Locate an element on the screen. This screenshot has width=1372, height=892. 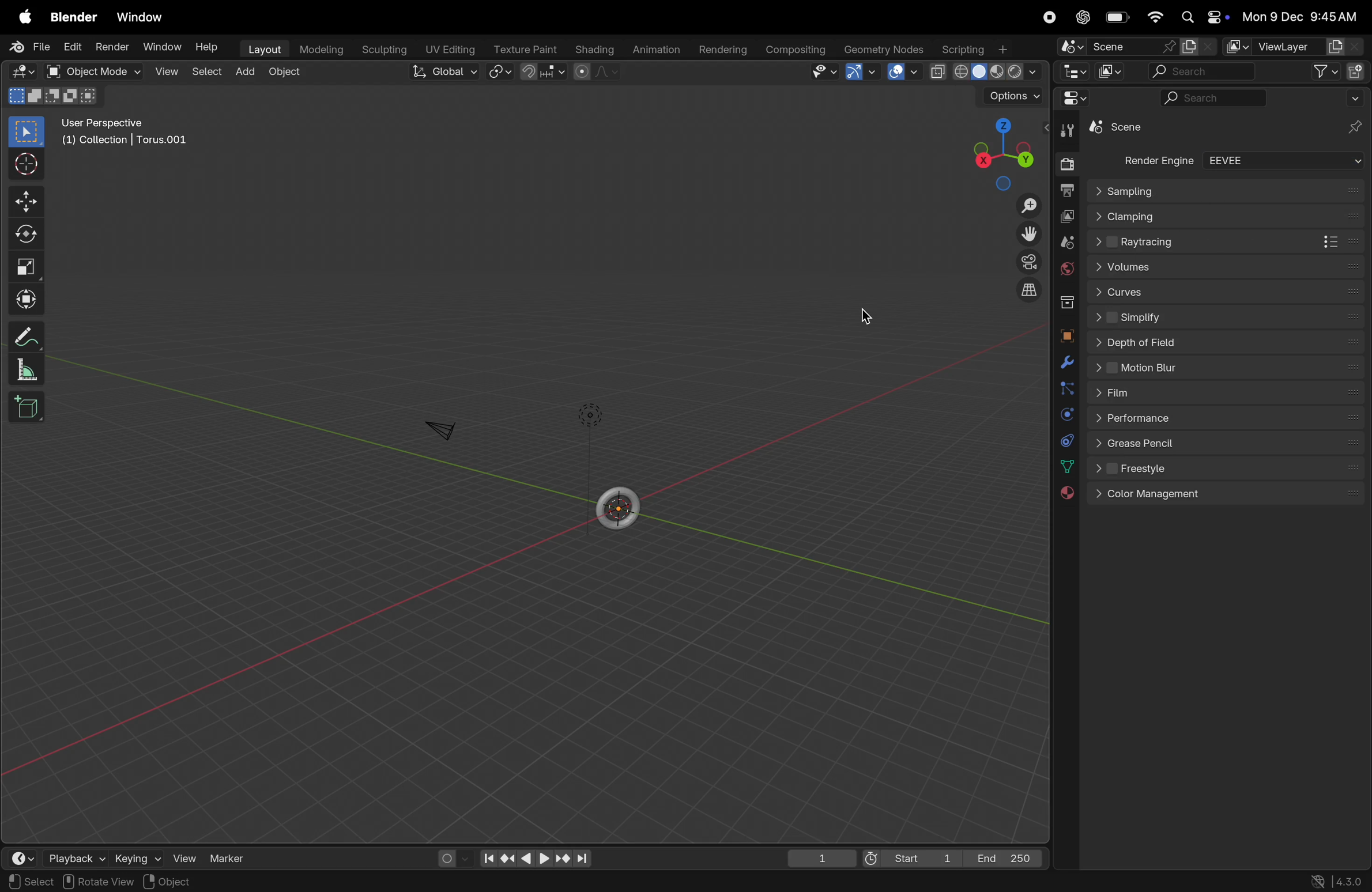
Move is located at coordinates (29, 200).